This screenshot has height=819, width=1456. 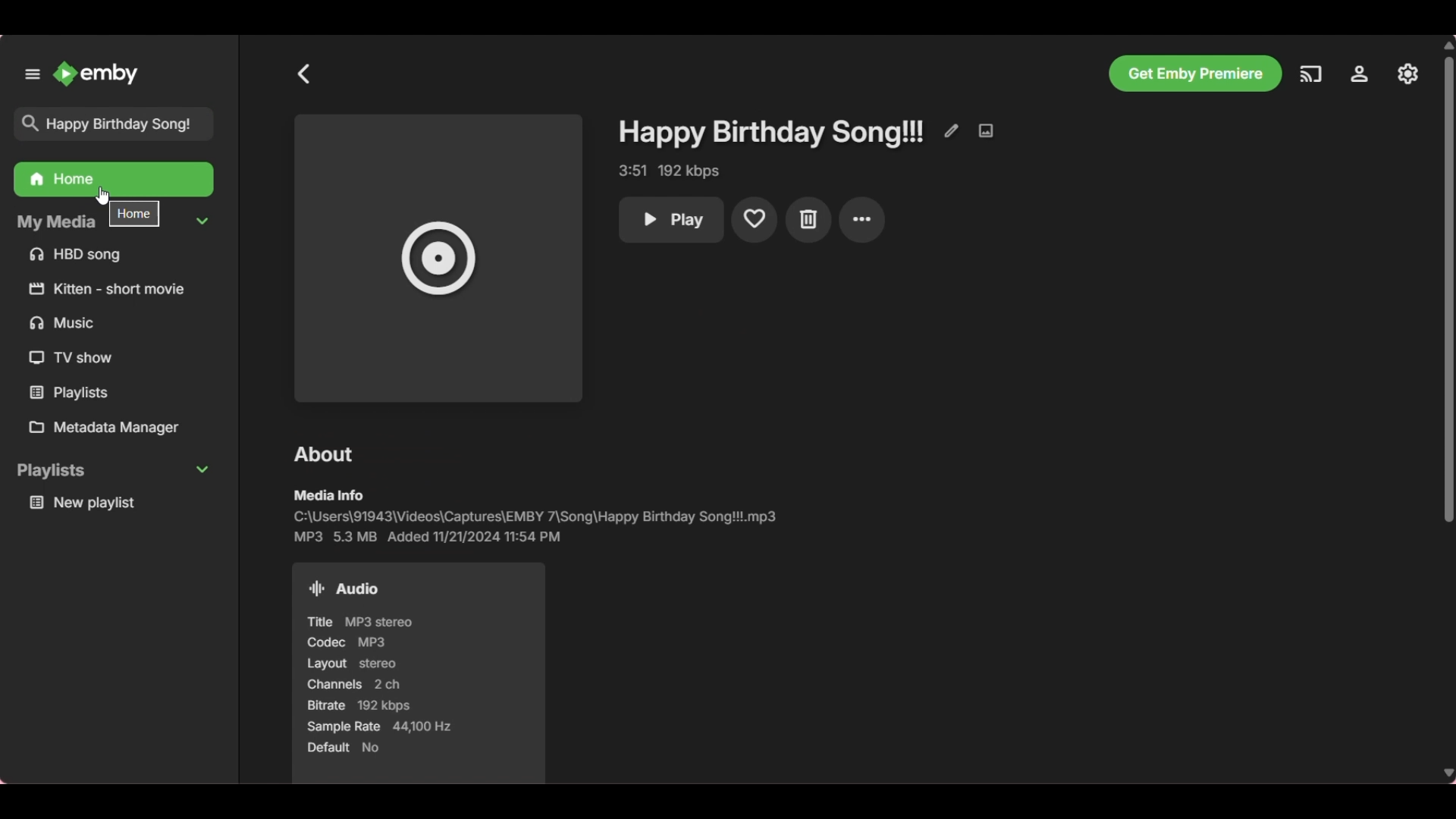 What do you see at coordinates (1409, 74) in the screenshot?
I see `Settings` at bounding box center [1409, 74].